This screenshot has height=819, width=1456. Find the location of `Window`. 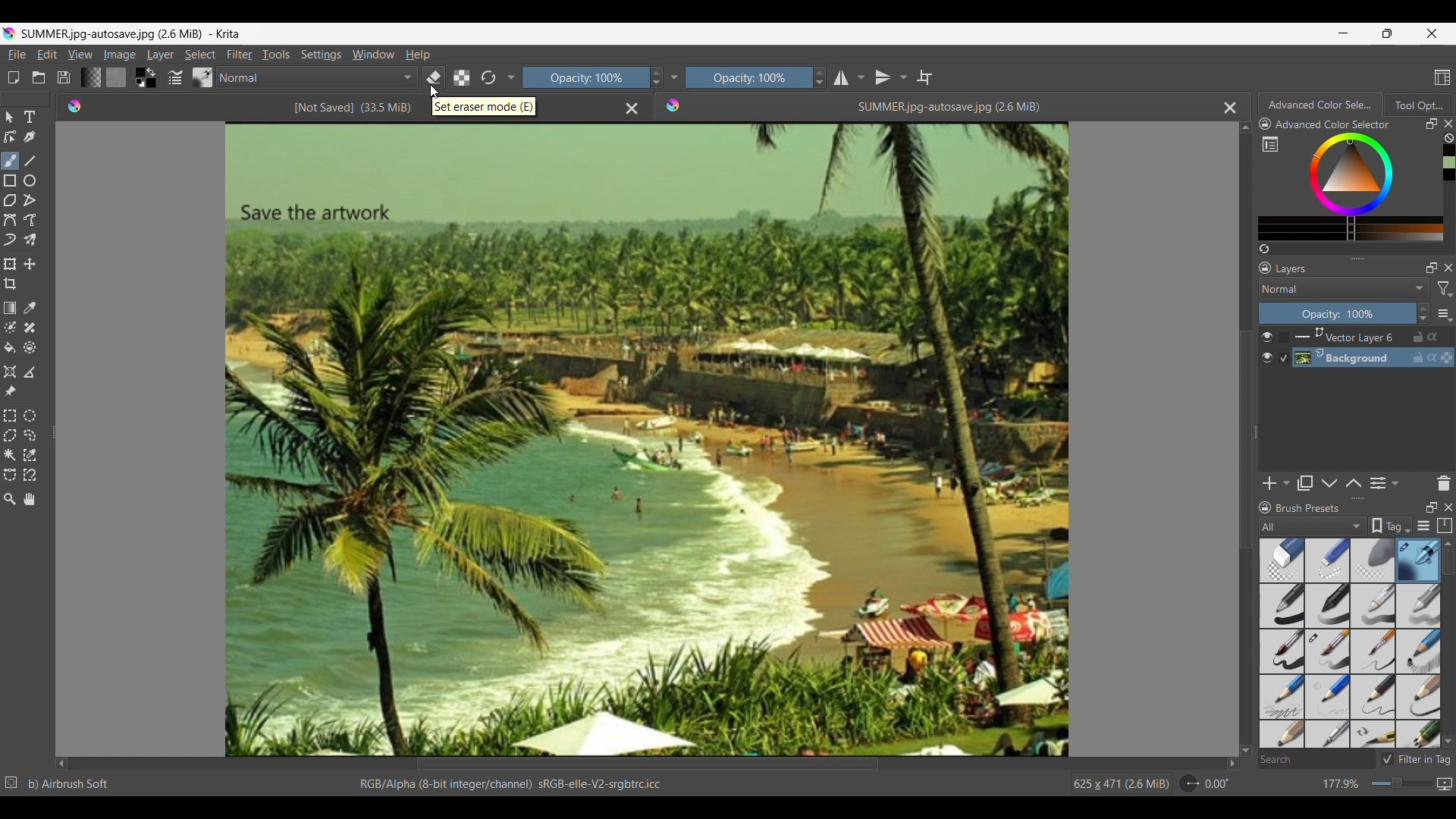

Window is located at coordinates (373, 55).